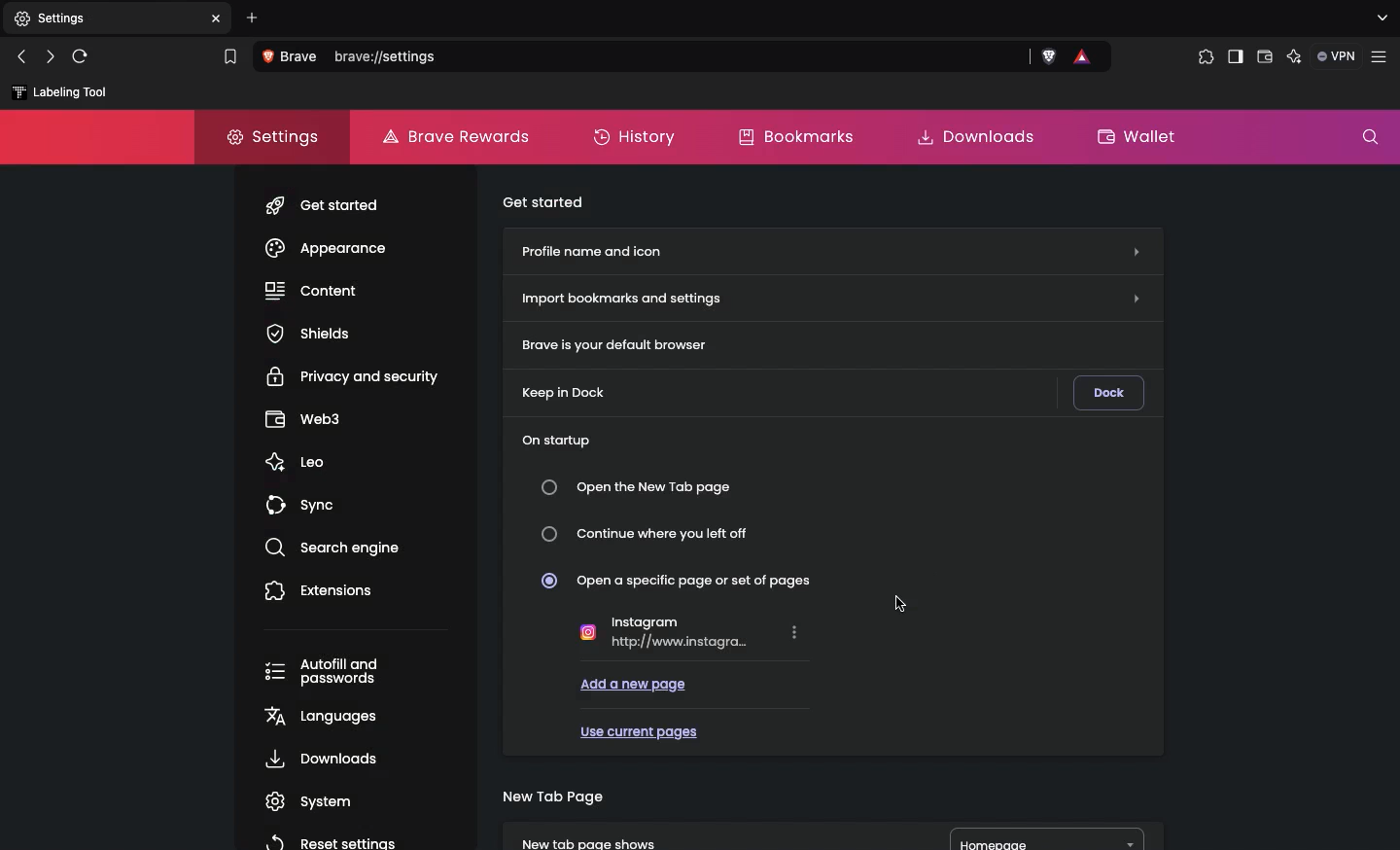 This screenshot has height=850, width=1400. I want to click on Homepage, so click(1050, 838).